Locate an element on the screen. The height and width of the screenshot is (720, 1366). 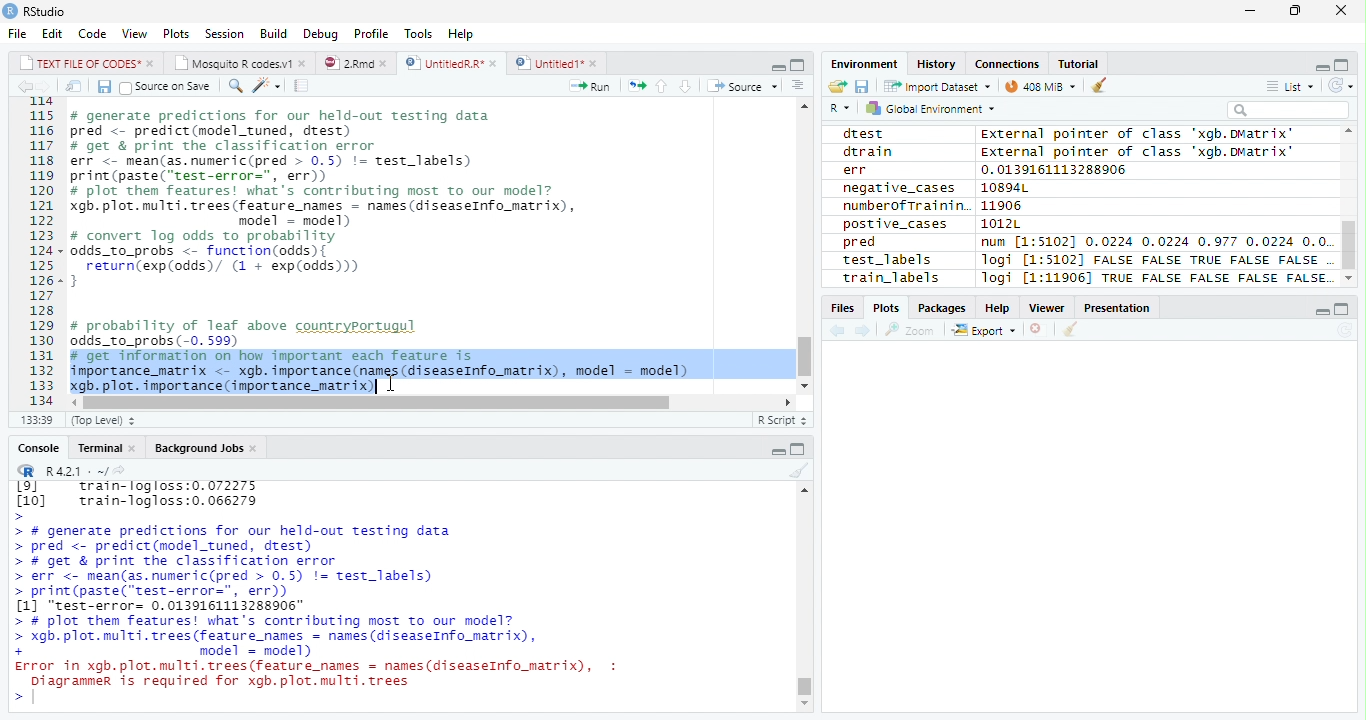
Global environment is located at coordinates (930, 109).